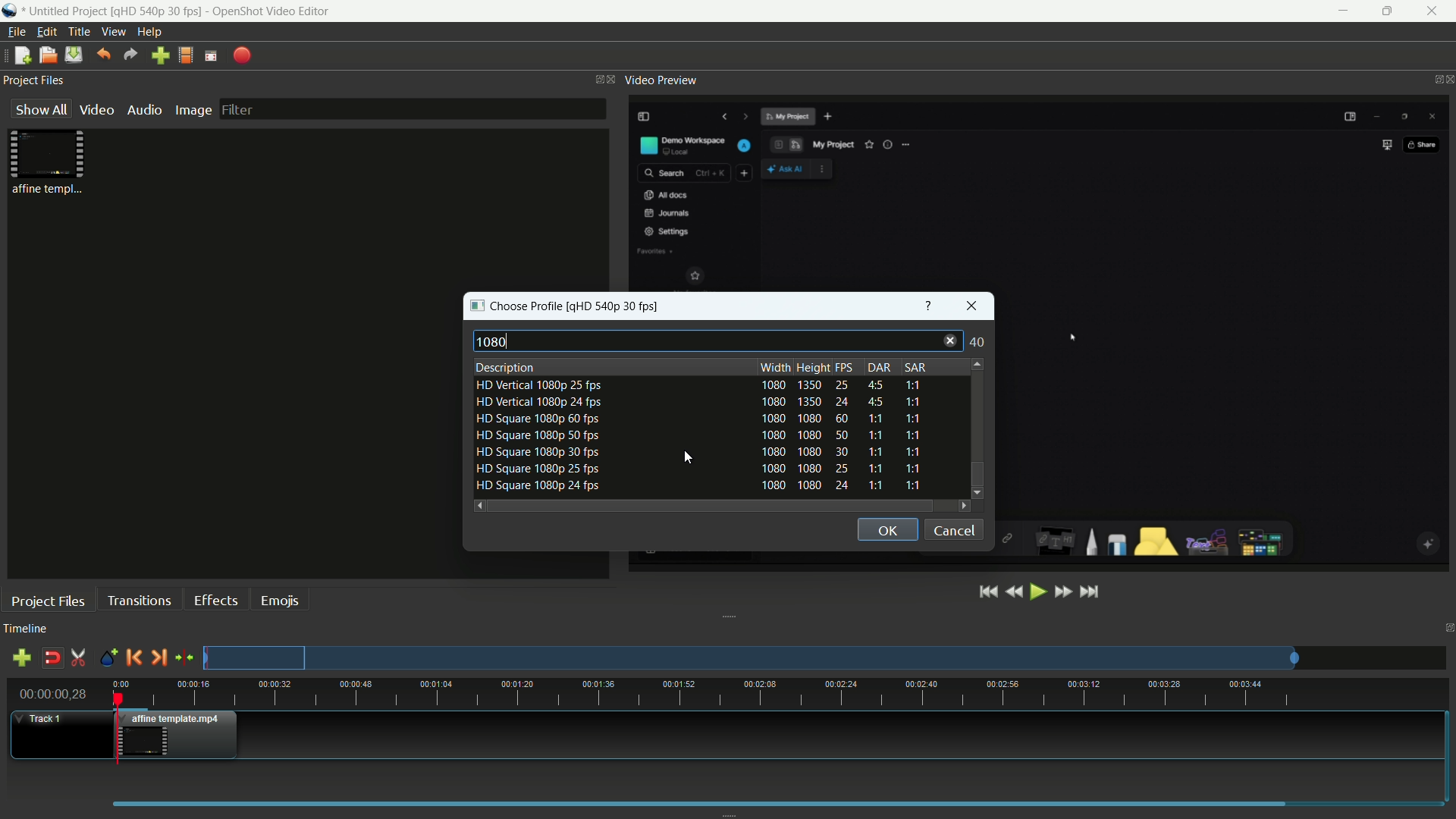  What do you see at coordinates (20, 55) in the screenshot?
I see `new file` at bounding box center [20, 55].